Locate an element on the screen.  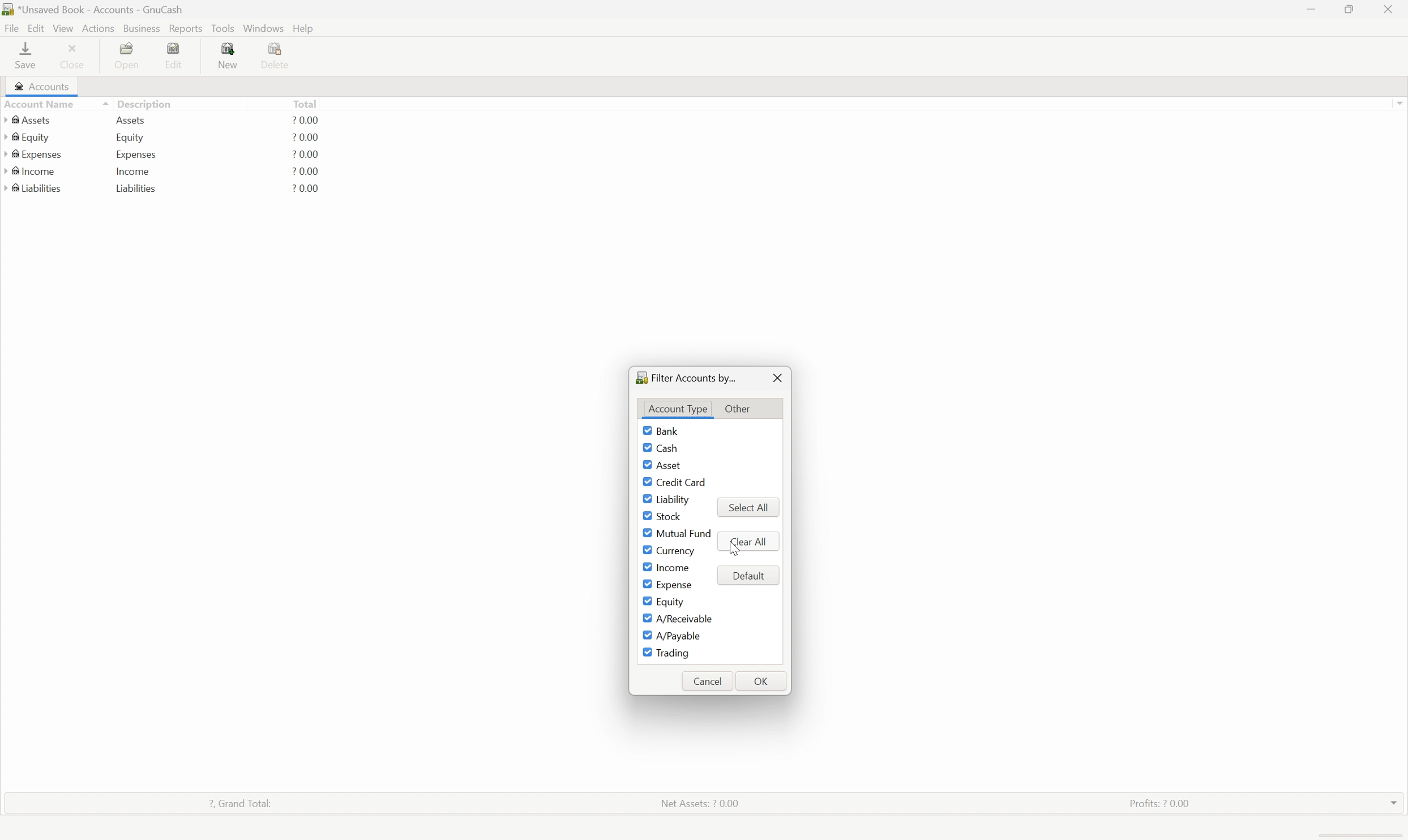
Checkbox is located at coordinates (643, 483).